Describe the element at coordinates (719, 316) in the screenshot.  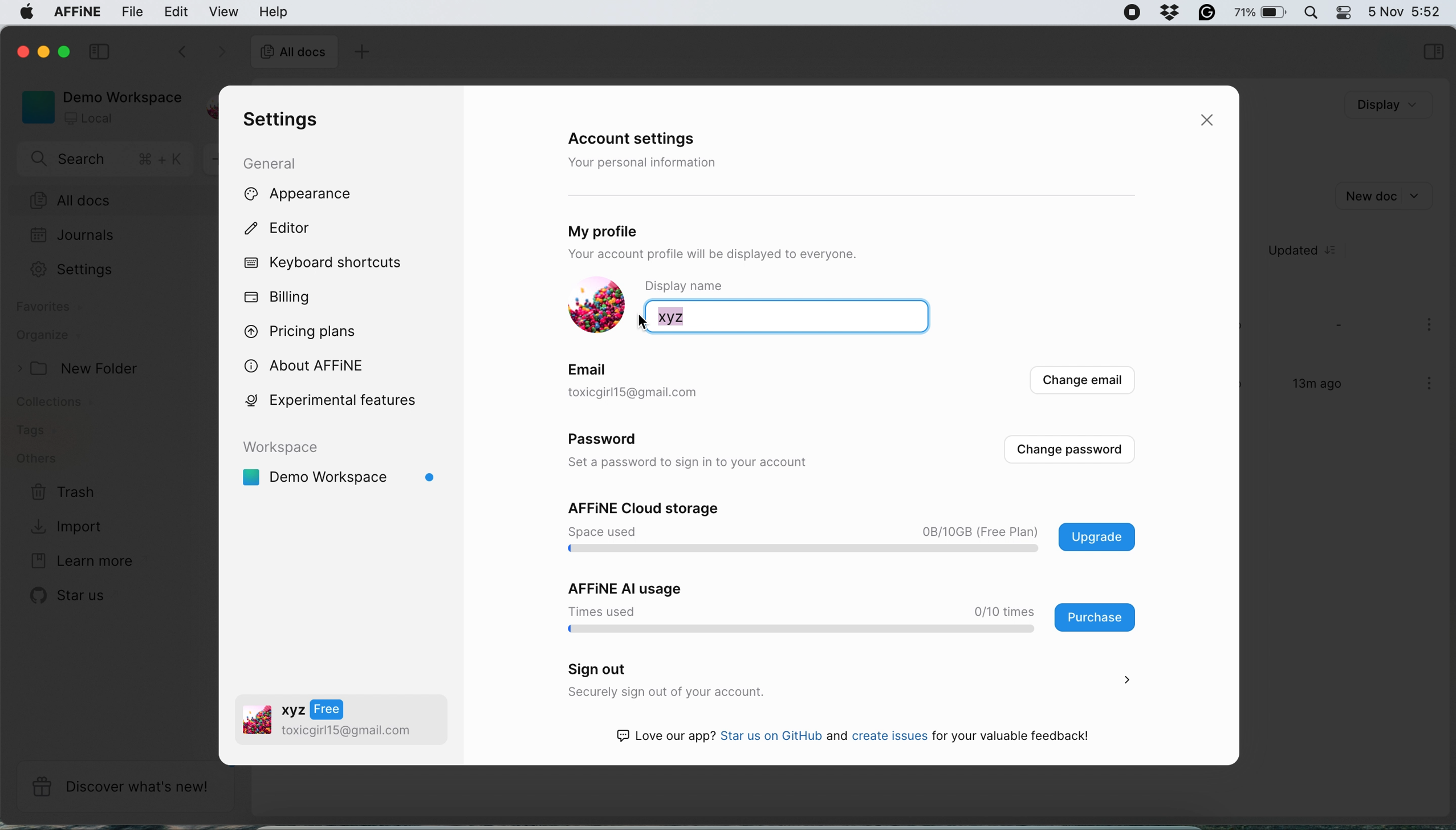
I see `xyz` at that location.